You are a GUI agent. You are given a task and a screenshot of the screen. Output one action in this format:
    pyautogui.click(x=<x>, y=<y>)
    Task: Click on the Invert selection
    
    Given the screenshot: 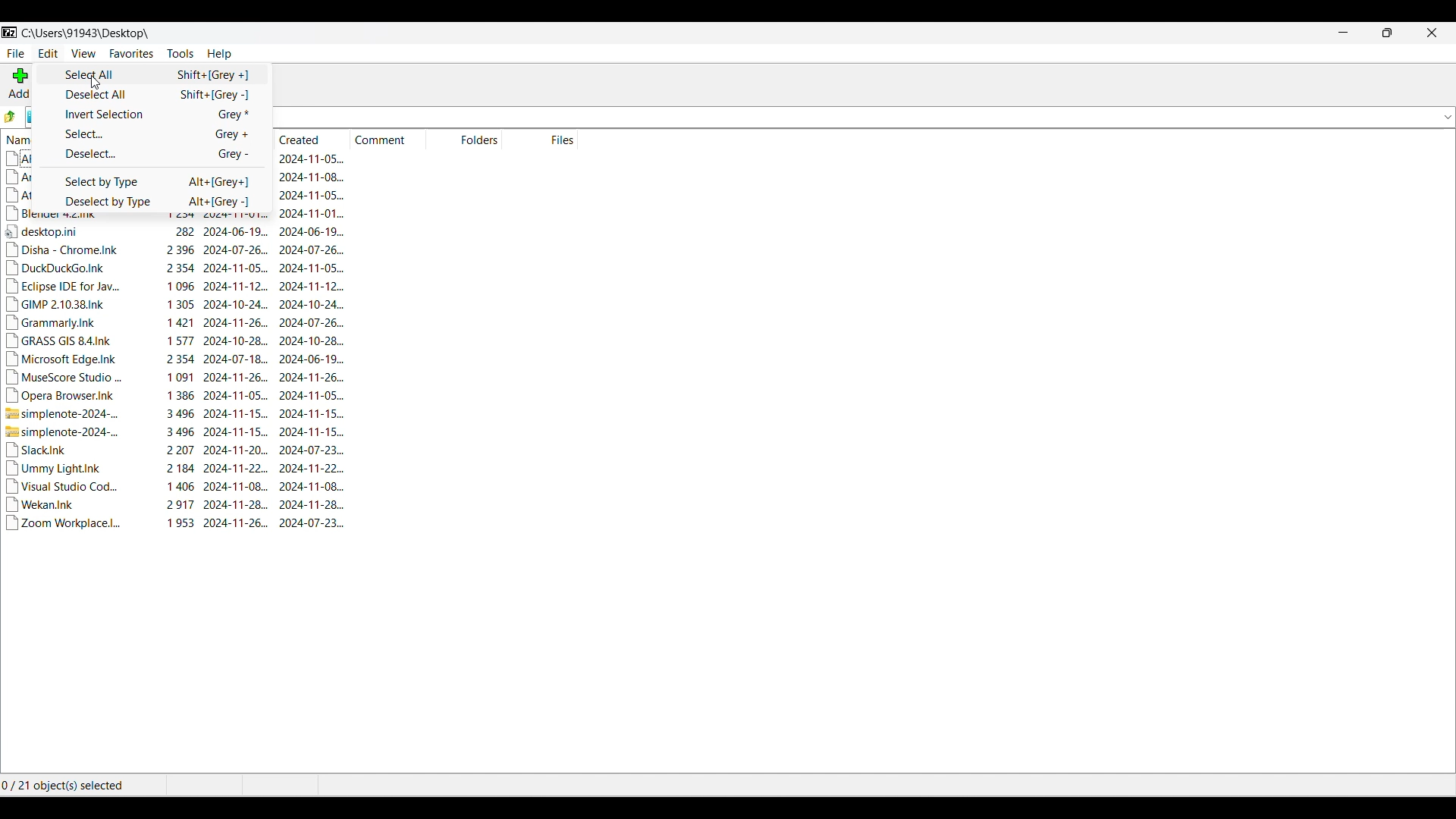 What is the action you would take?
    pyautogui.click(x=153, y=114)
    